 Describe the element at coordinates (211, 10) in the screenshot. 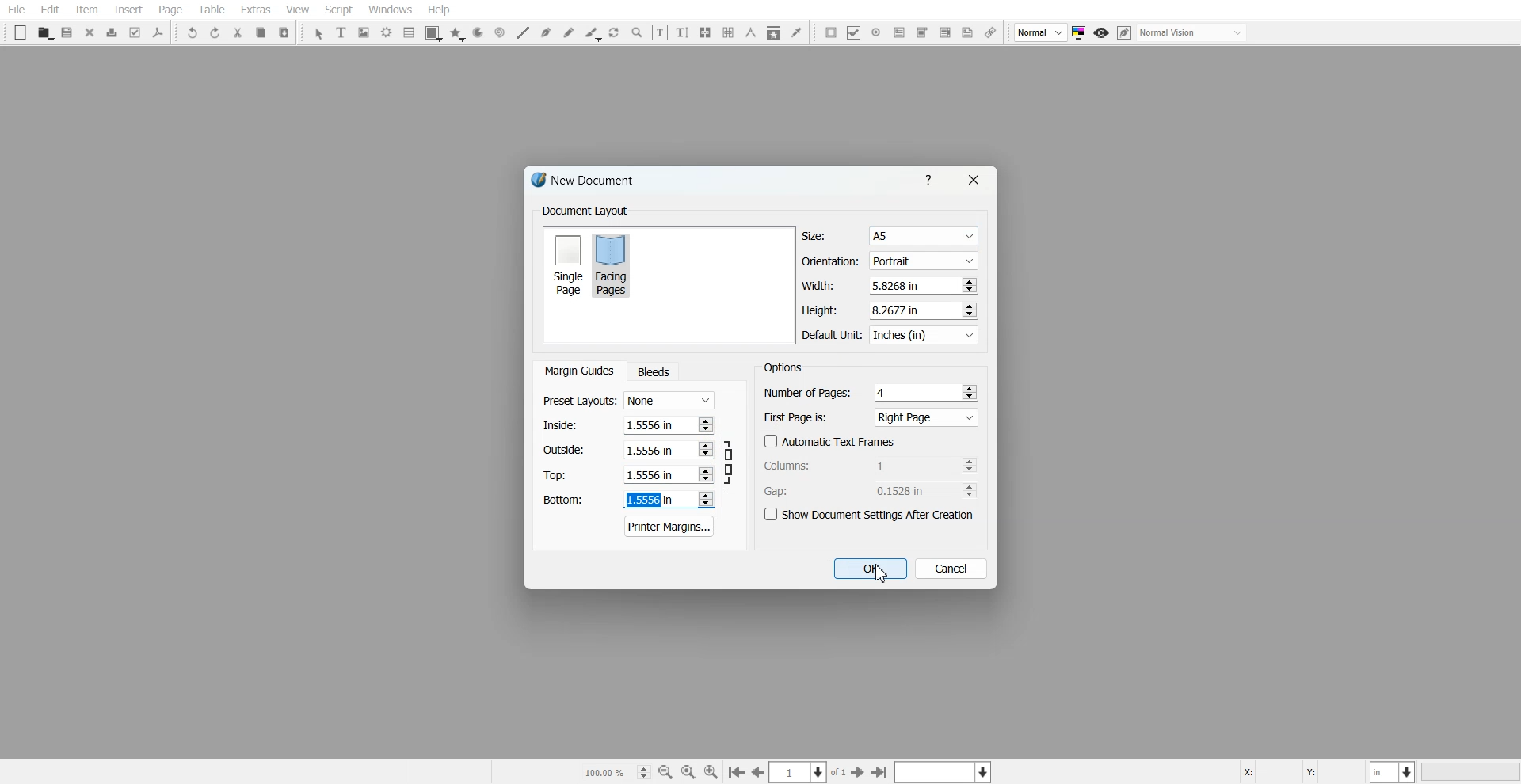

I see `Table` at that location.